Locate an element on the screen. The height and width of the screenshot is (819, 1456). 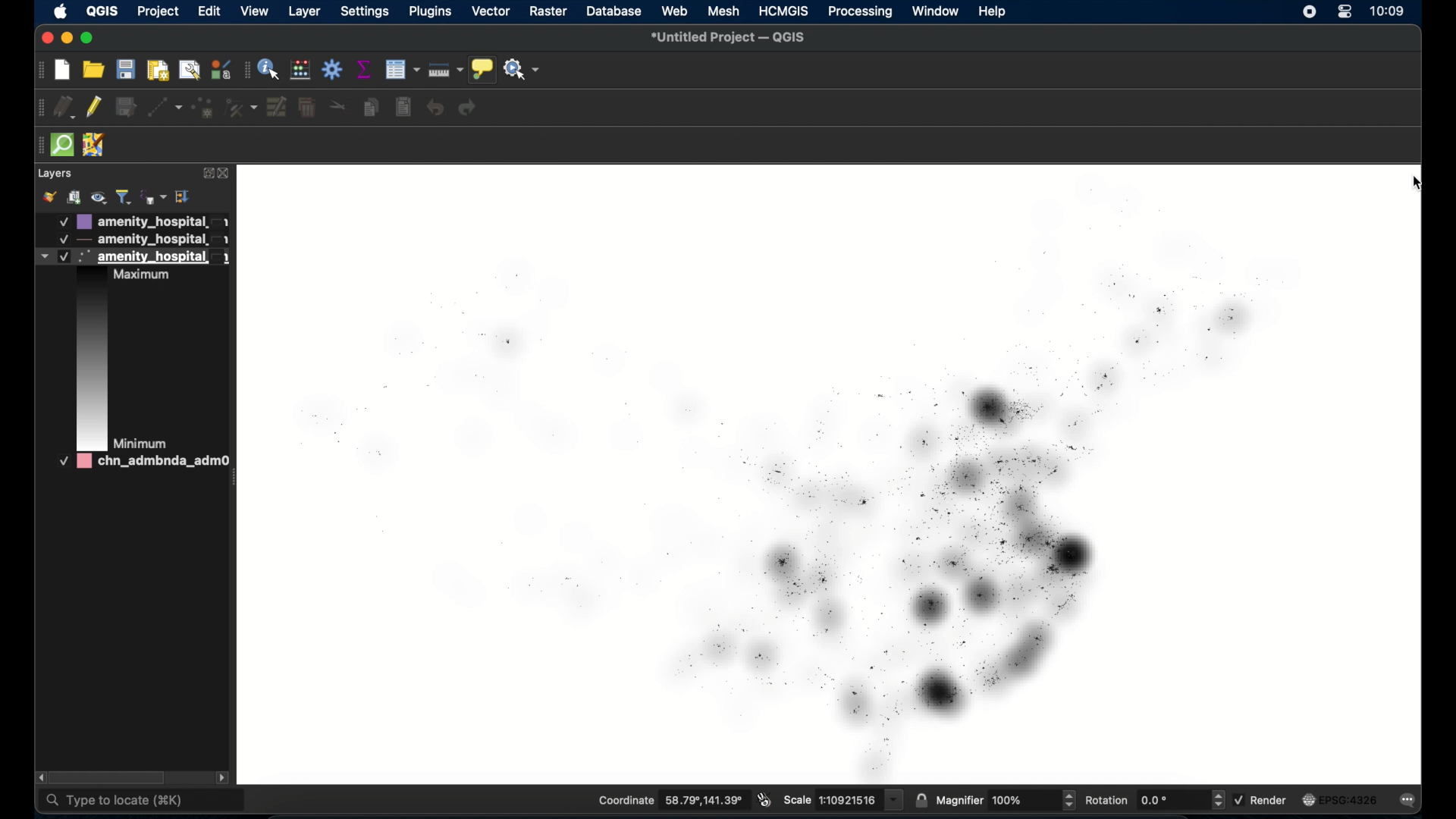
attribute toolbar is located at coordinates (246, 72).